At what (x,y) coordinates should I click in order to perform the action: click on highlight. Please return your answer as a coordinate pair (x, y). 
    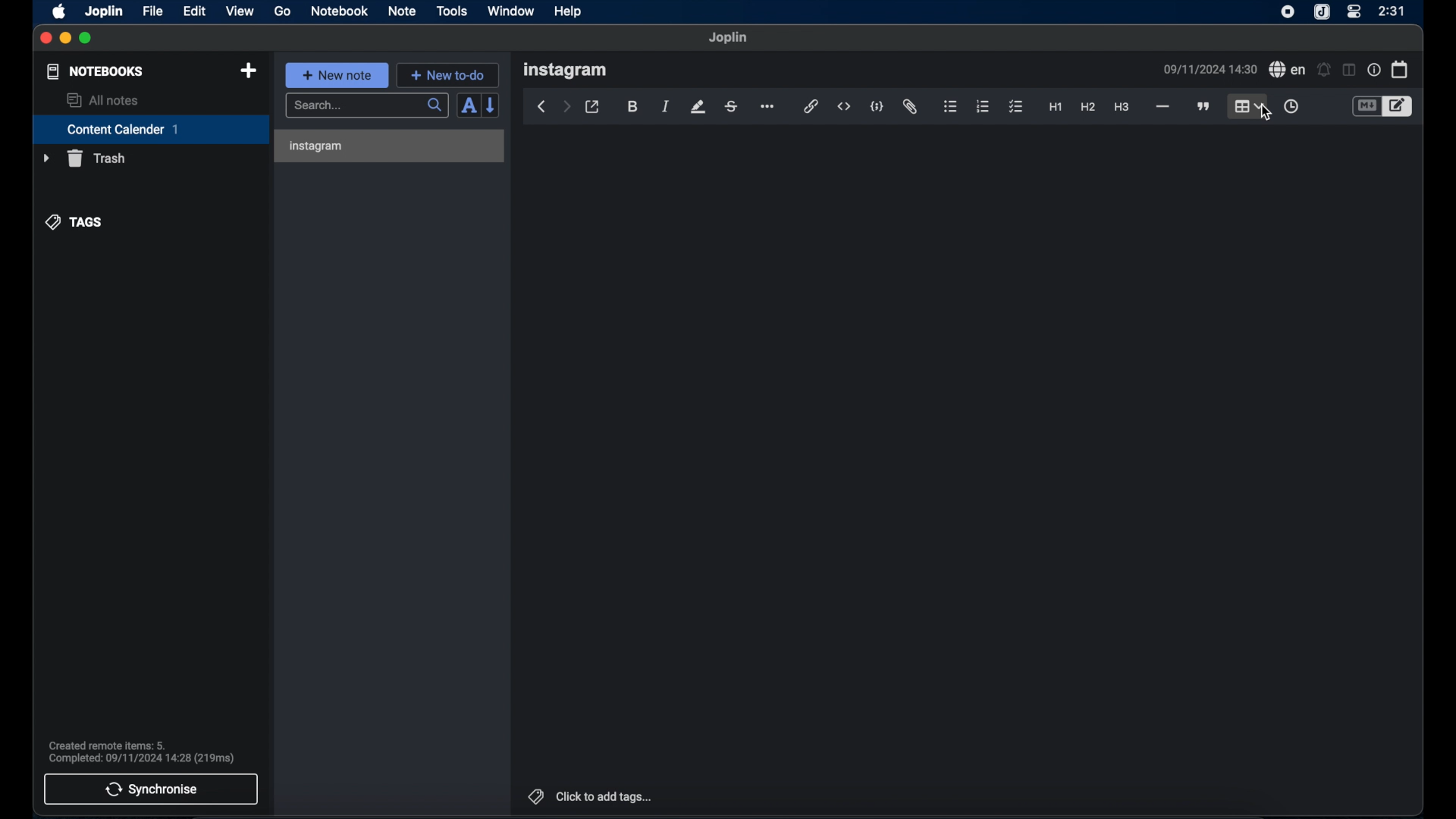
    Looking at the image, I should click on (698, 107).